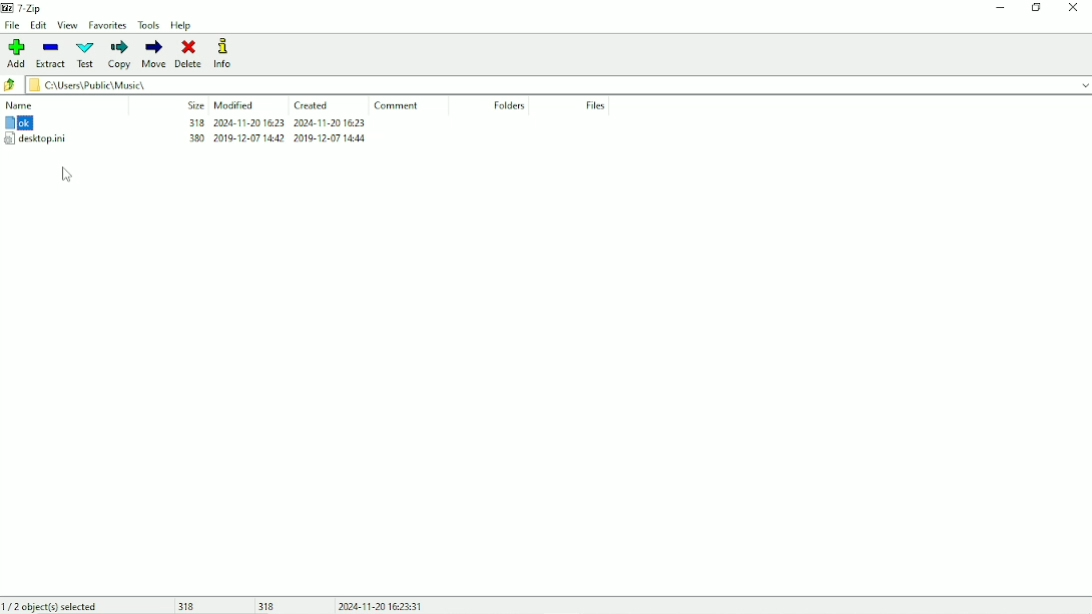  Describe the element at coordinates (121, 85) in the screenshot. I see `CAUsers\Public\ Music` at that location.